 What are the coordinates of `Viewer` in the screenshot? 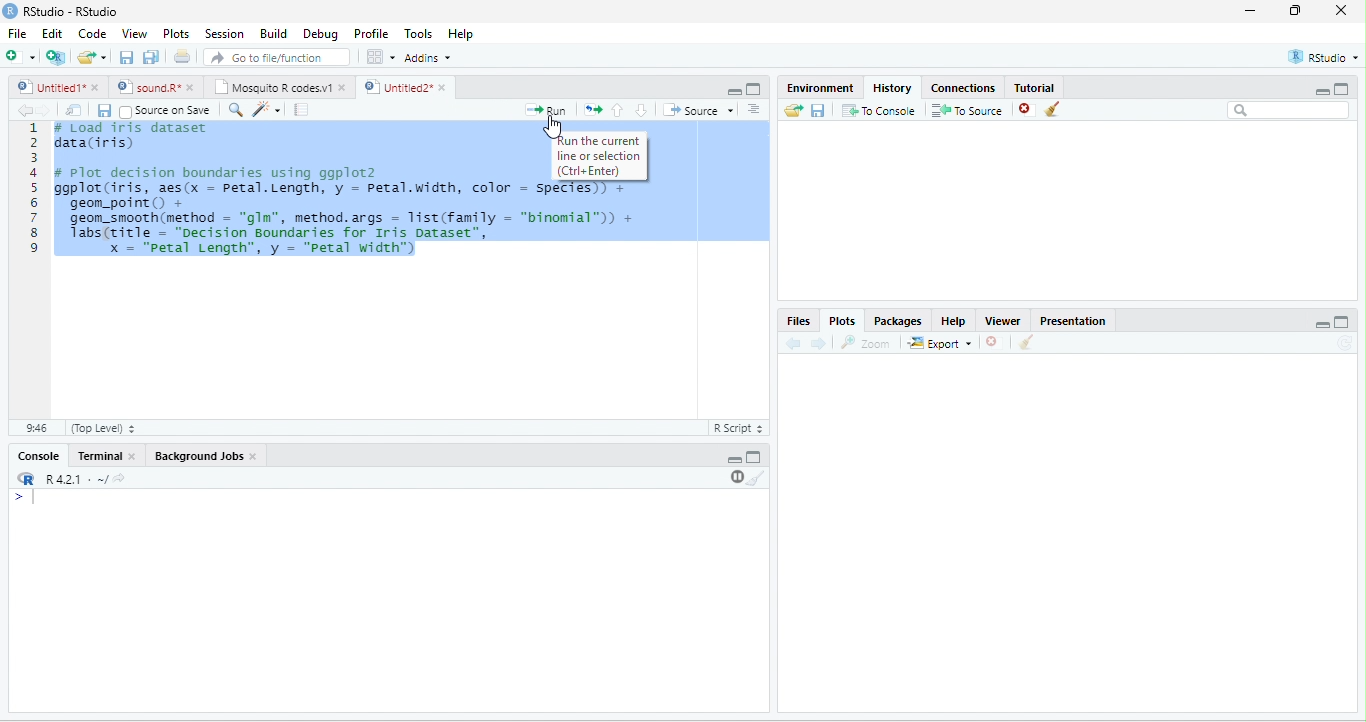 It's located at (1003, 321).